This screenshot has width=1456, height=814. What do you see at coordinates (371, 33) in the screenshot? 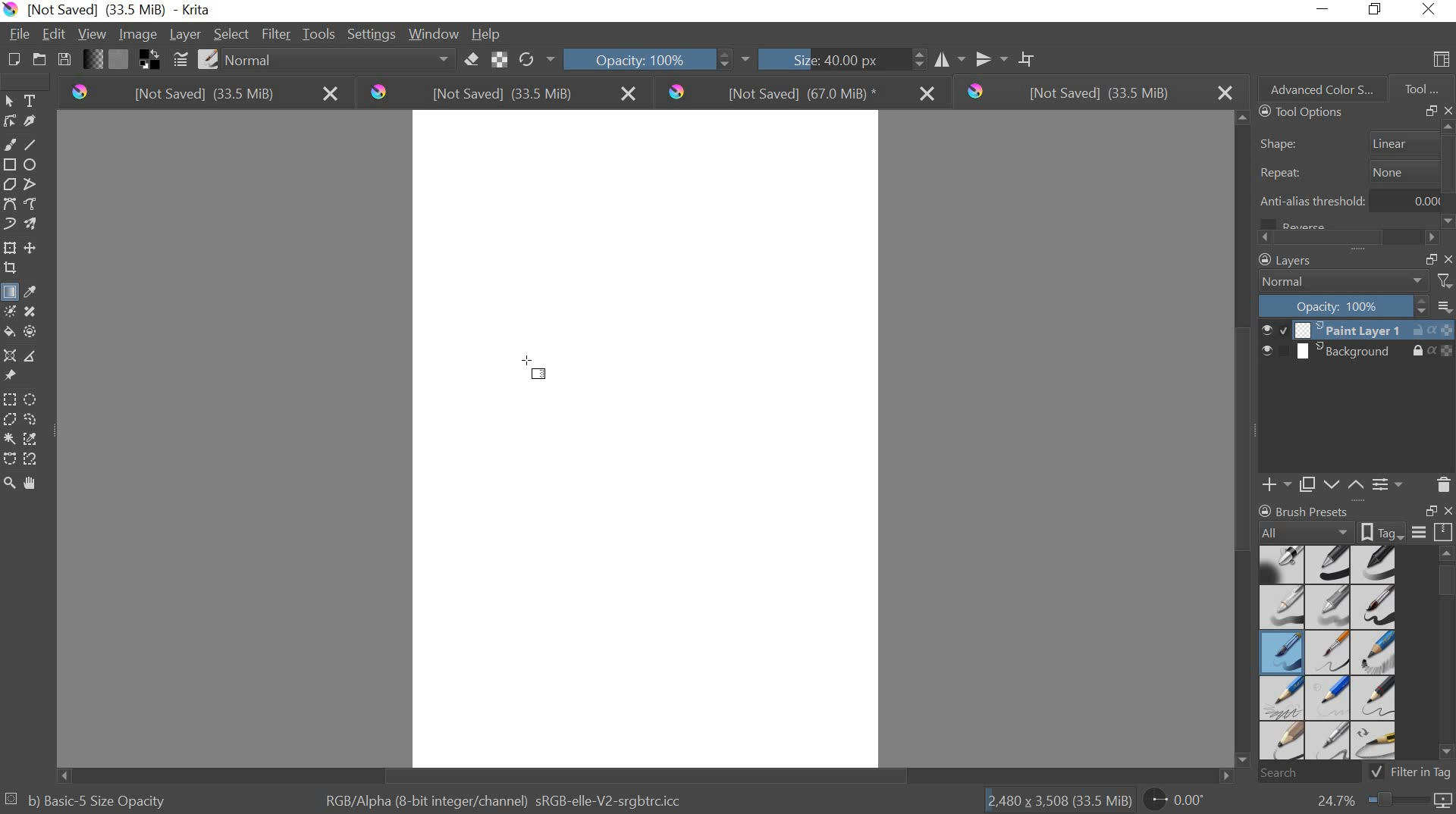
I see `SETTINGS` at bounding box center [371, 33].